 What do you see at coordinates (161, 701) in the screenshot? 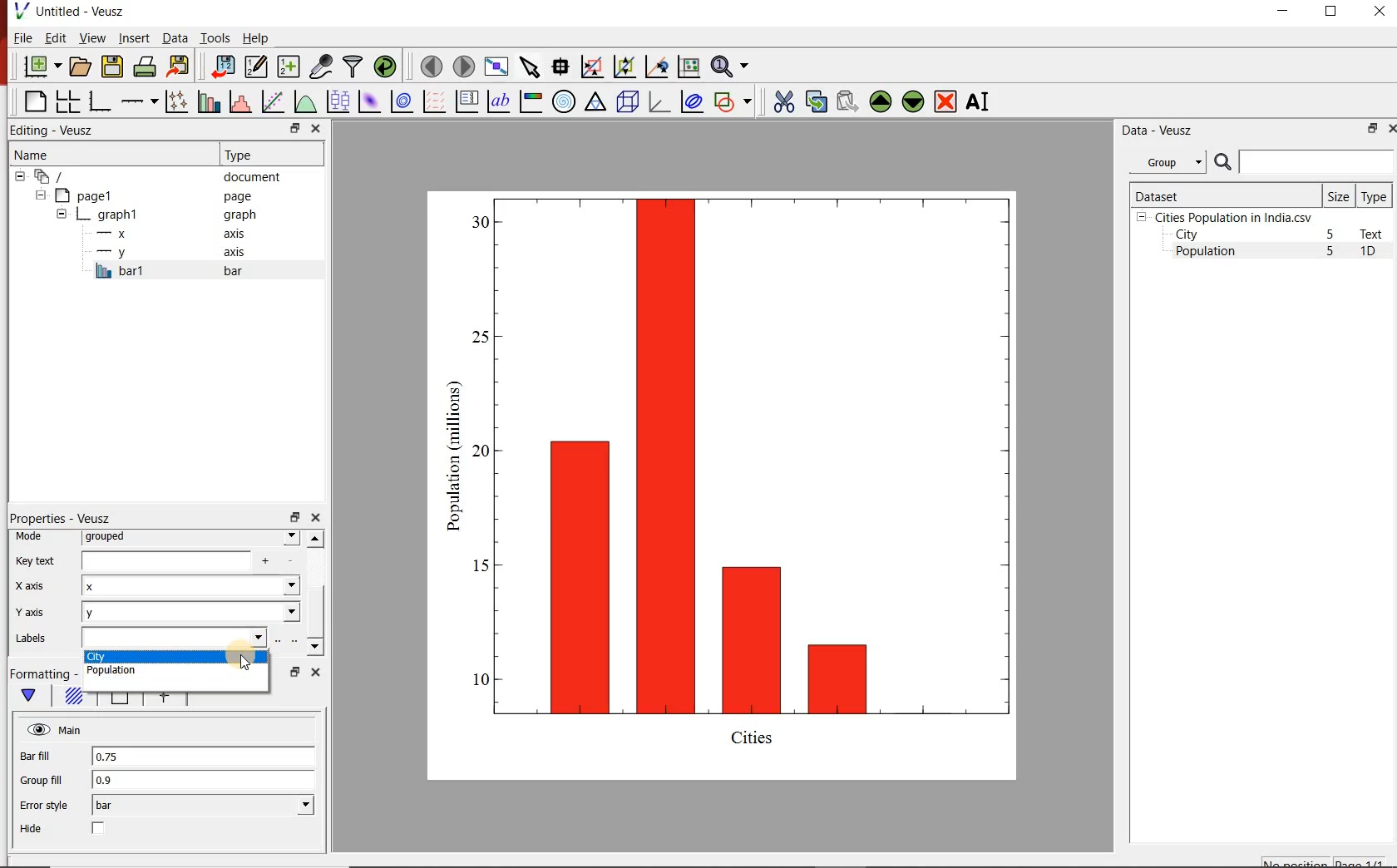
I see `Error bar line` at bounding box center [161, 701].